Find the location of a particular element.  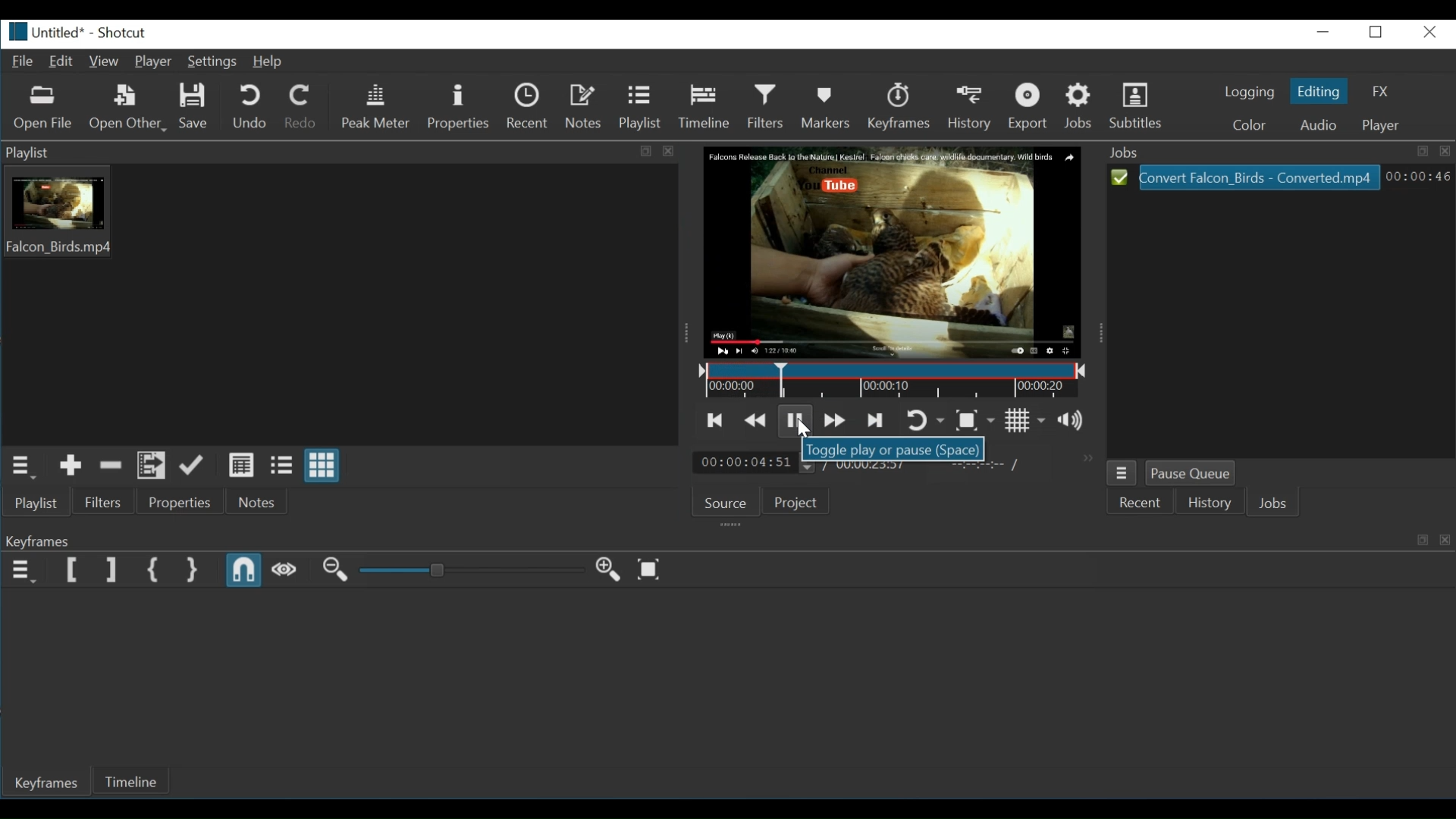

Filter is located at coordinates (766, 105).